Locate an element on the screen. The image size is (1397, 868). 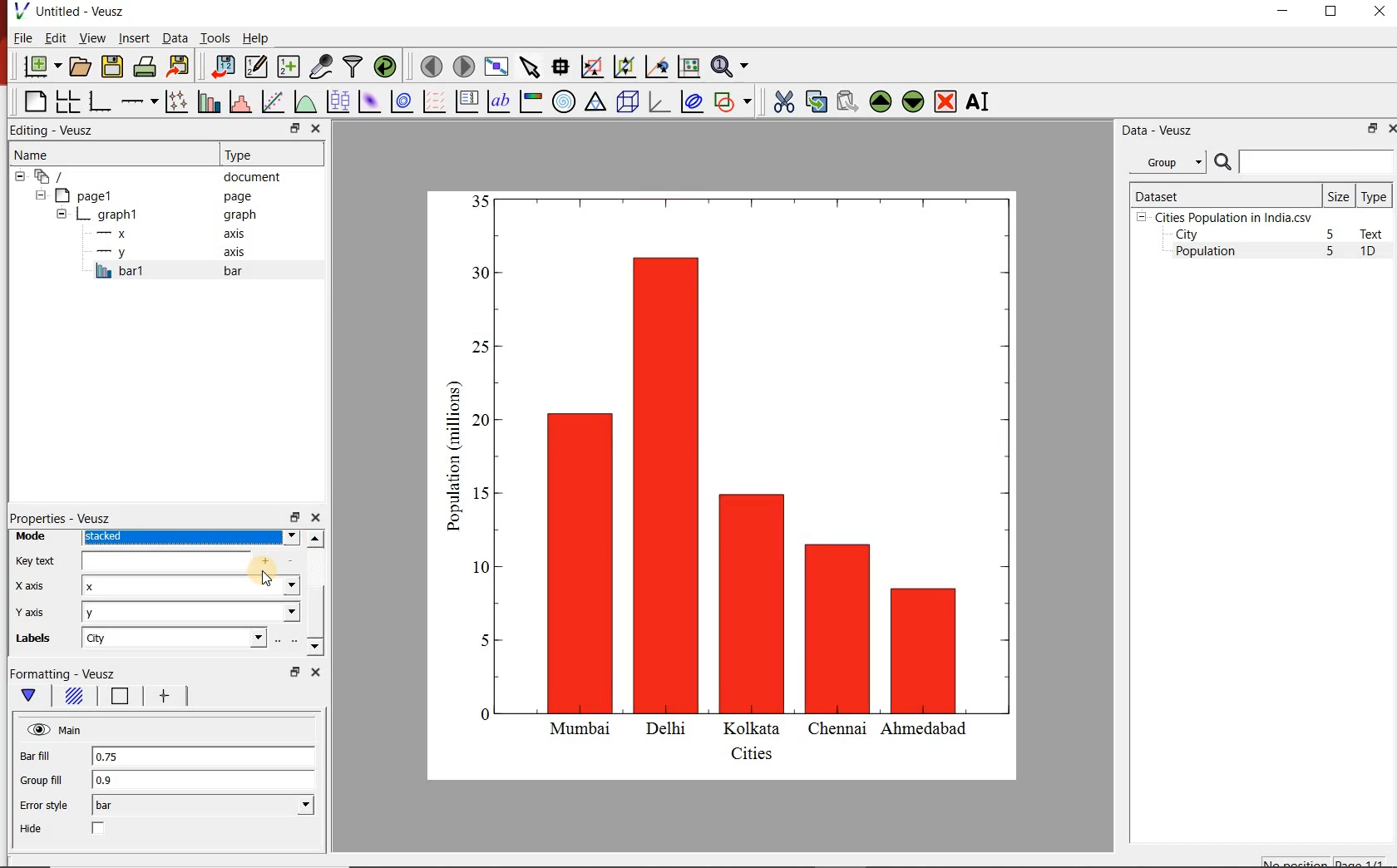
click to reset graph axes is located at coordinates (689, 66).